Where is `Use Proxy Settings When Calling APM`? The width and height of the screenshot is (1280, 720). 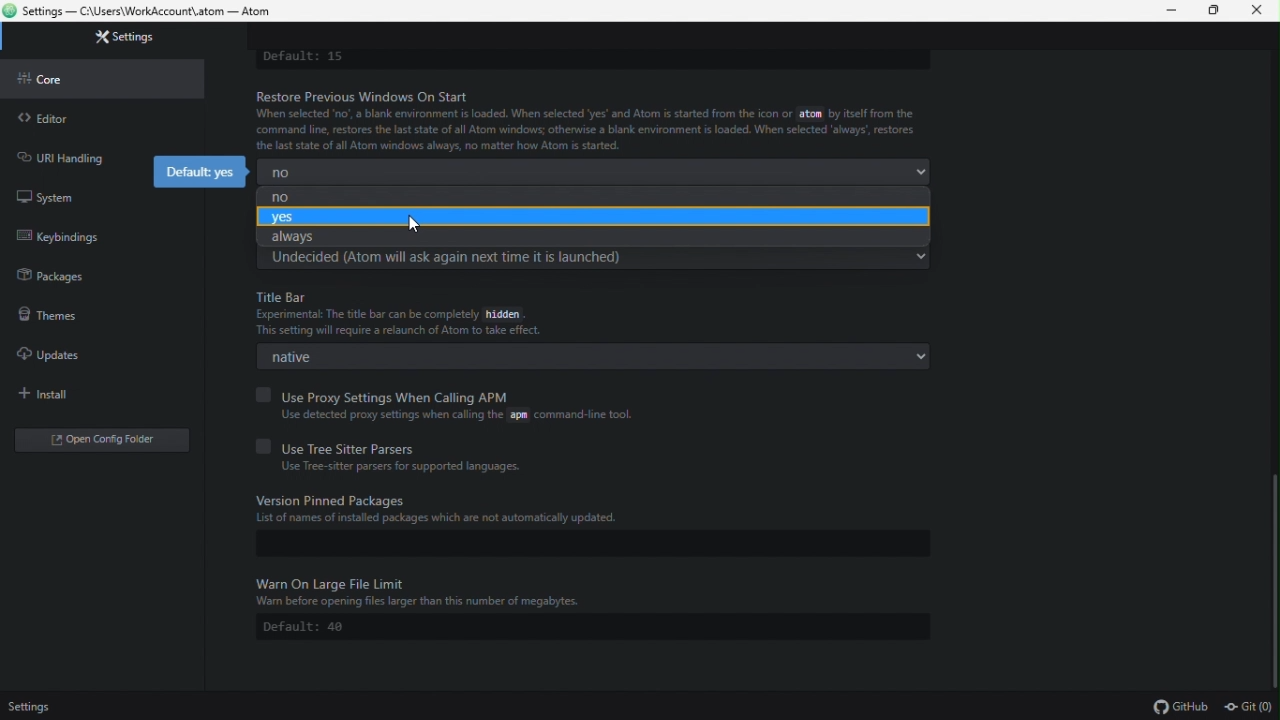 Use Proxy Settings When Calling APM is located at coordinates (398, 392).